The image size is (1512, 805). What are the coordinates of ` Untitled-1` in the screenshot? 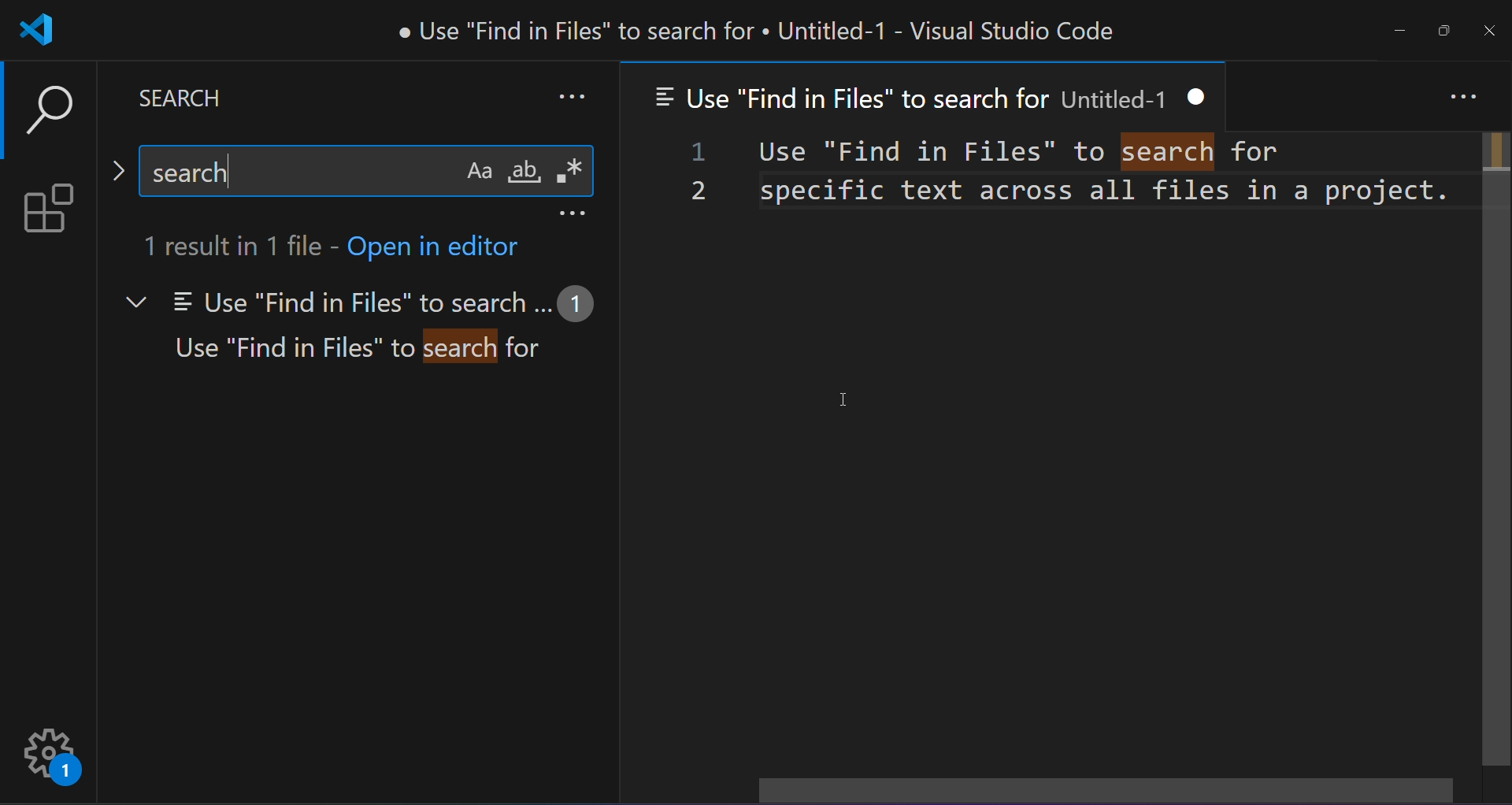 It's located at (1115, 98).